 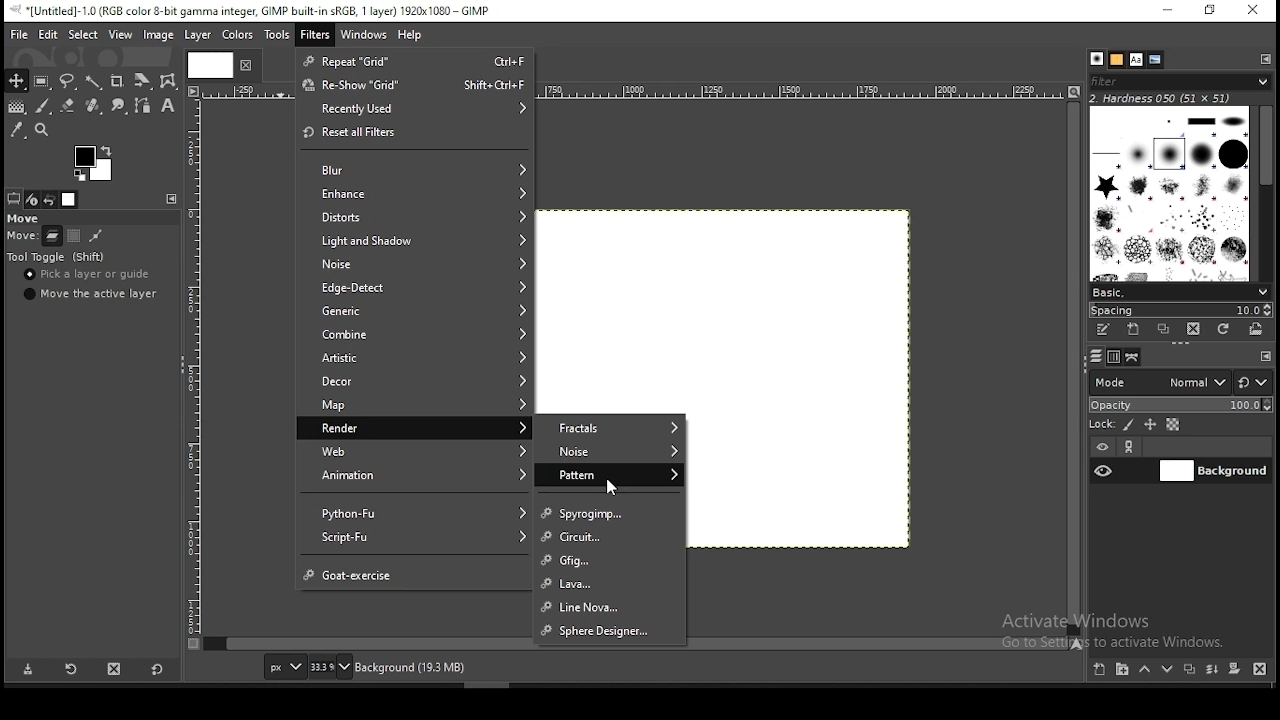 I want to click on rectangular selection tool, so click(x=43, y=82).